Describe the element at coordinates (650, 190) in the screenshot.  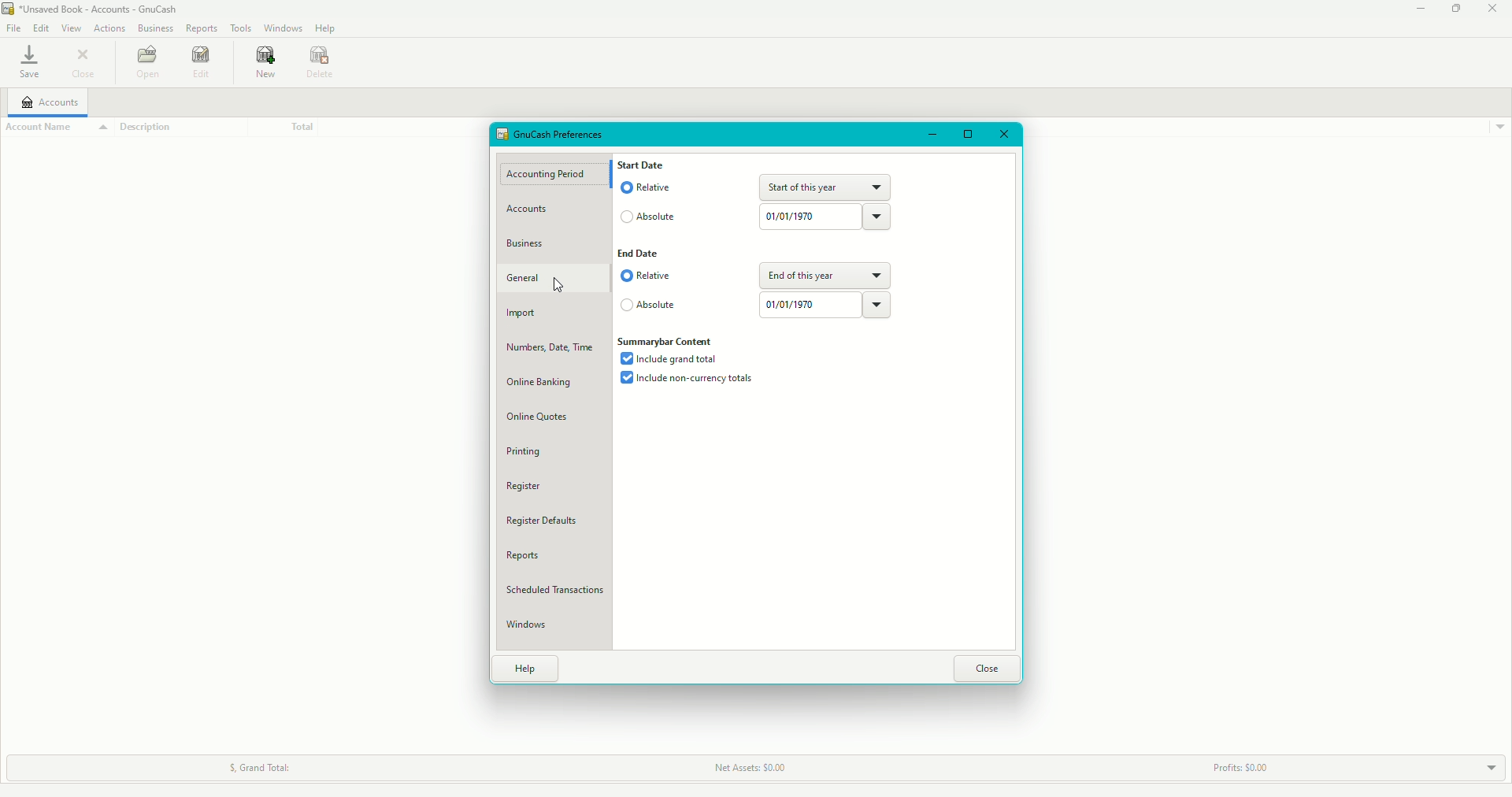
I see `Relative` at that location.